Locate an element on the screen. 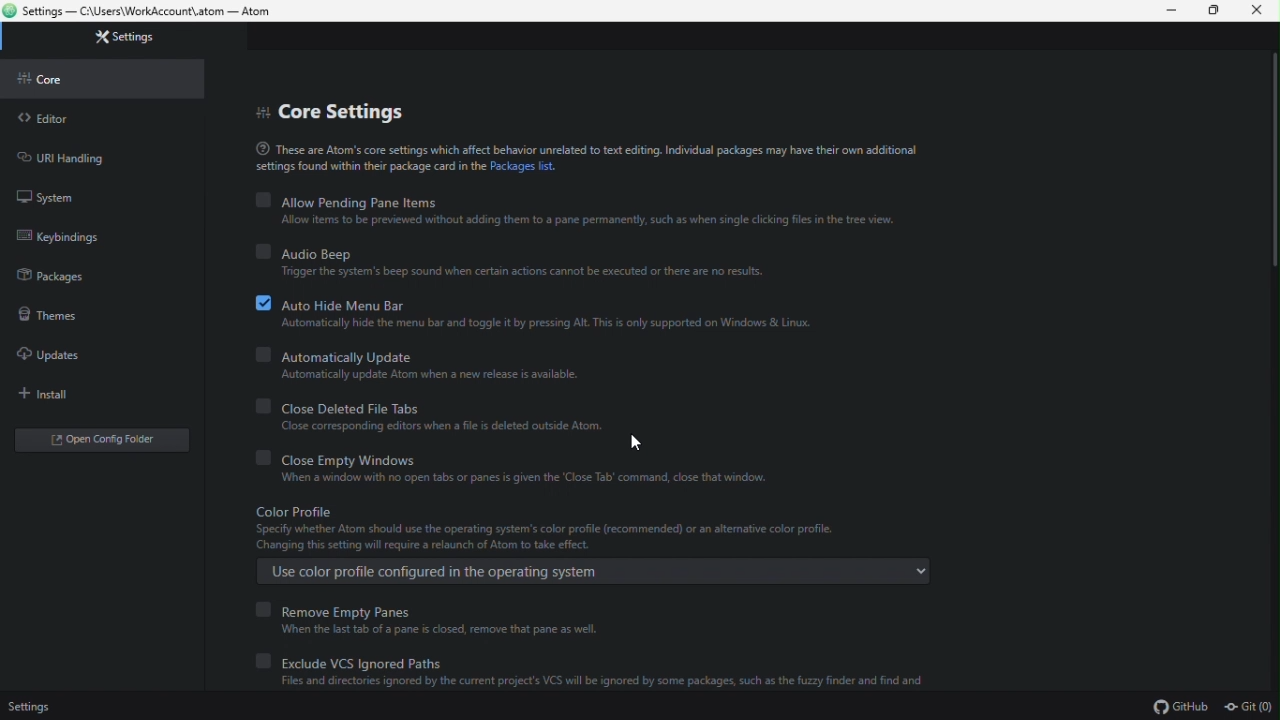  open config editor is located at coordinates (97, 441).